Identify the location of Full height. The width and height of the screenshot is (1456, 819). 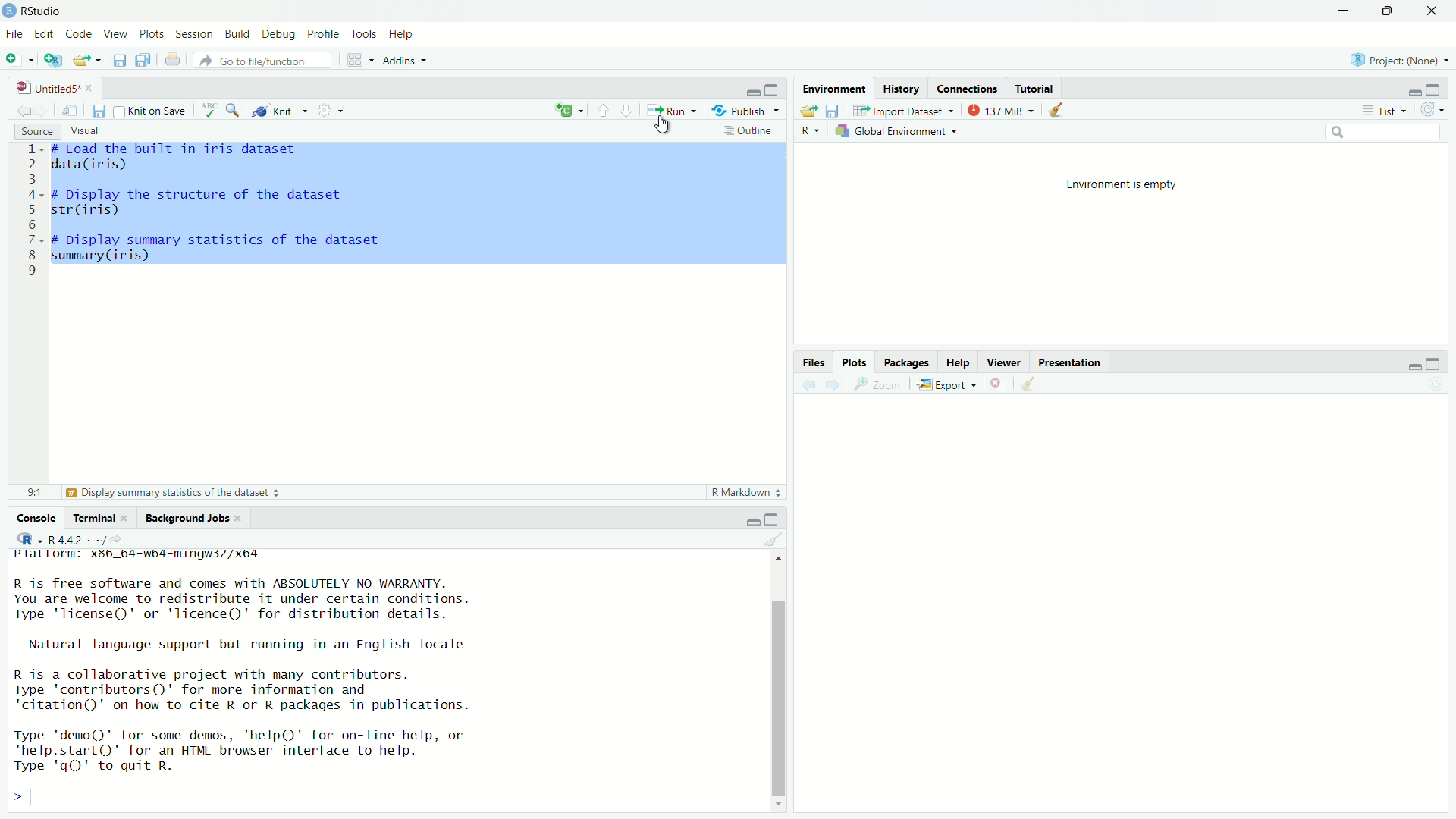
(772, 89).